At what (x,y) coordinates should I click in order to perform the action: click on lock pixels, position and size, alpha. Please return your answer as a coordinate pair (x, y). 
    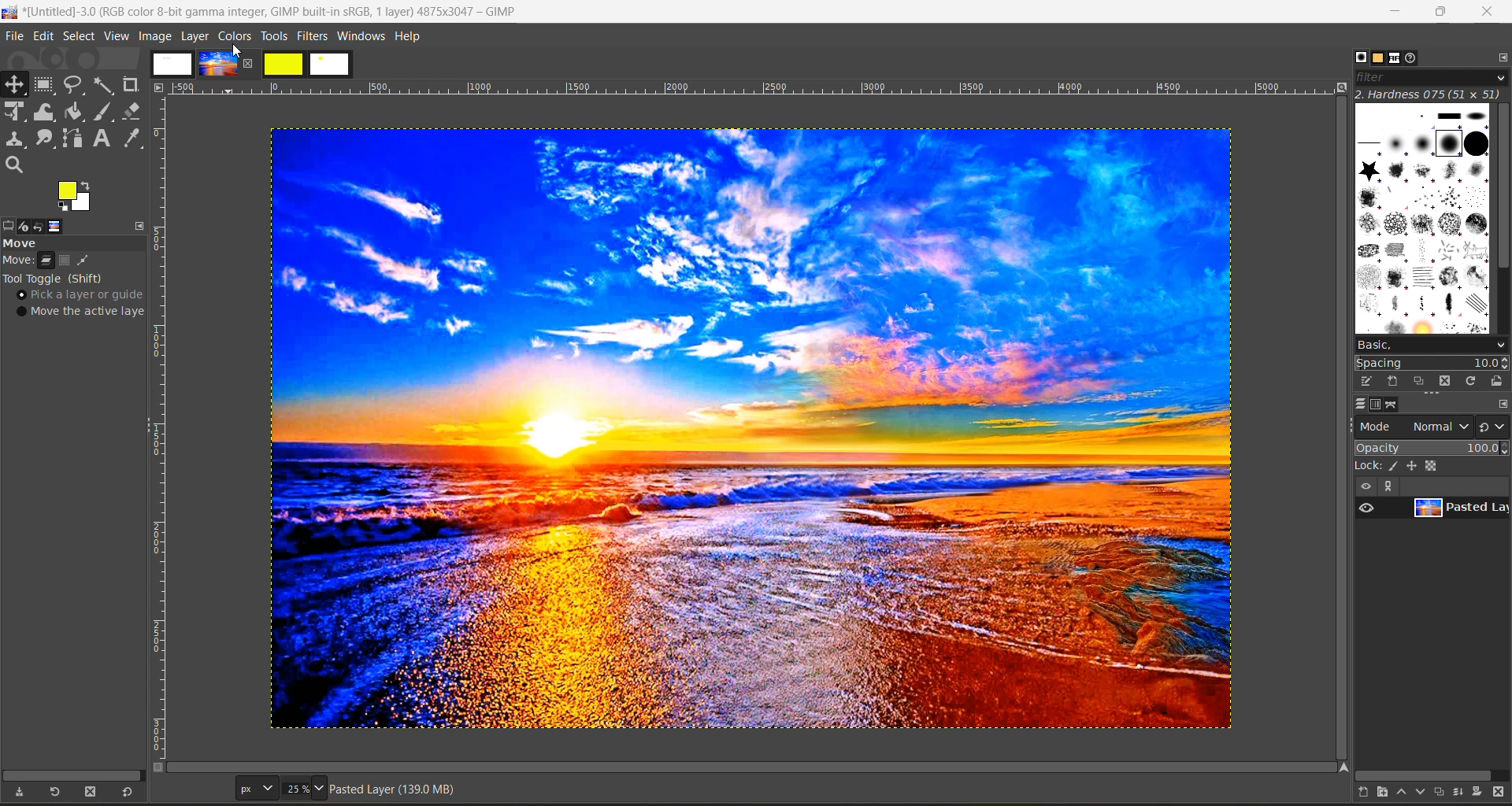
    Looking at the image, I should click on (1431, 465).